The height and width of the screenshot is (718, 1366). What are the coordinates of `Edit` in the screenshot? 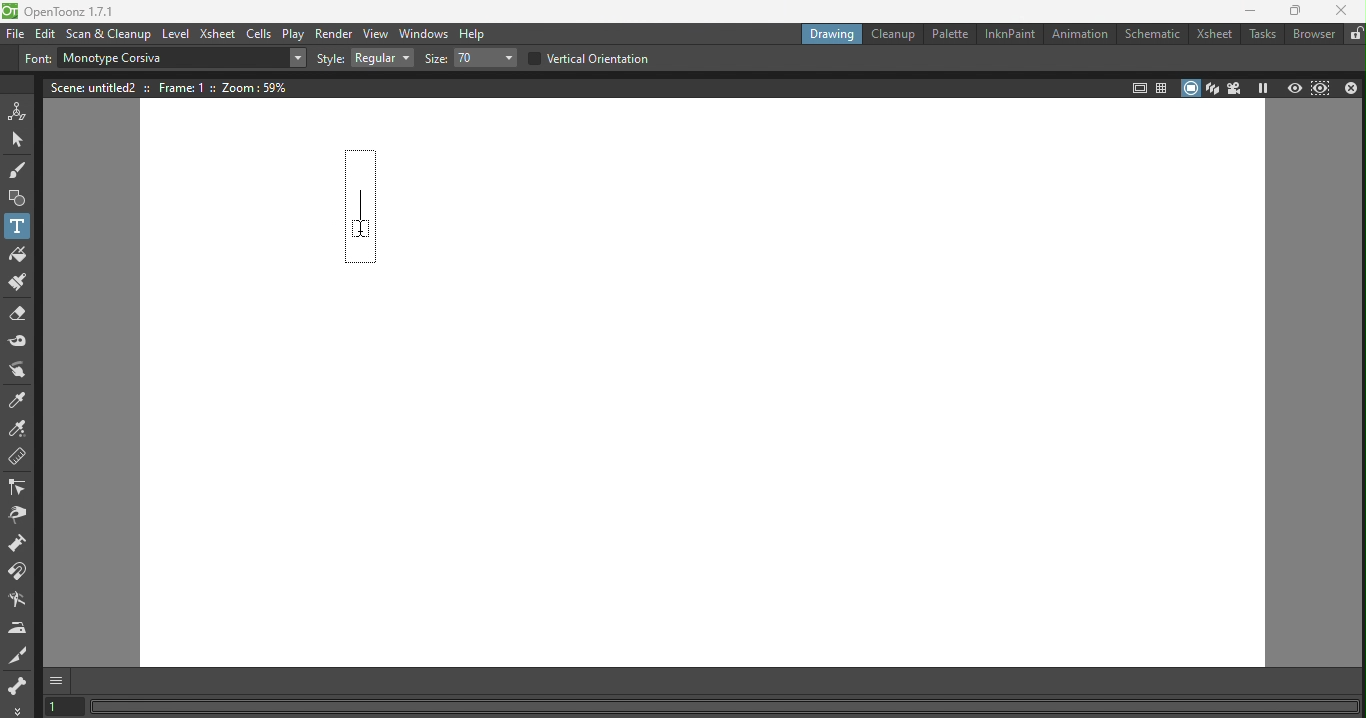 It's located at (47, 33).